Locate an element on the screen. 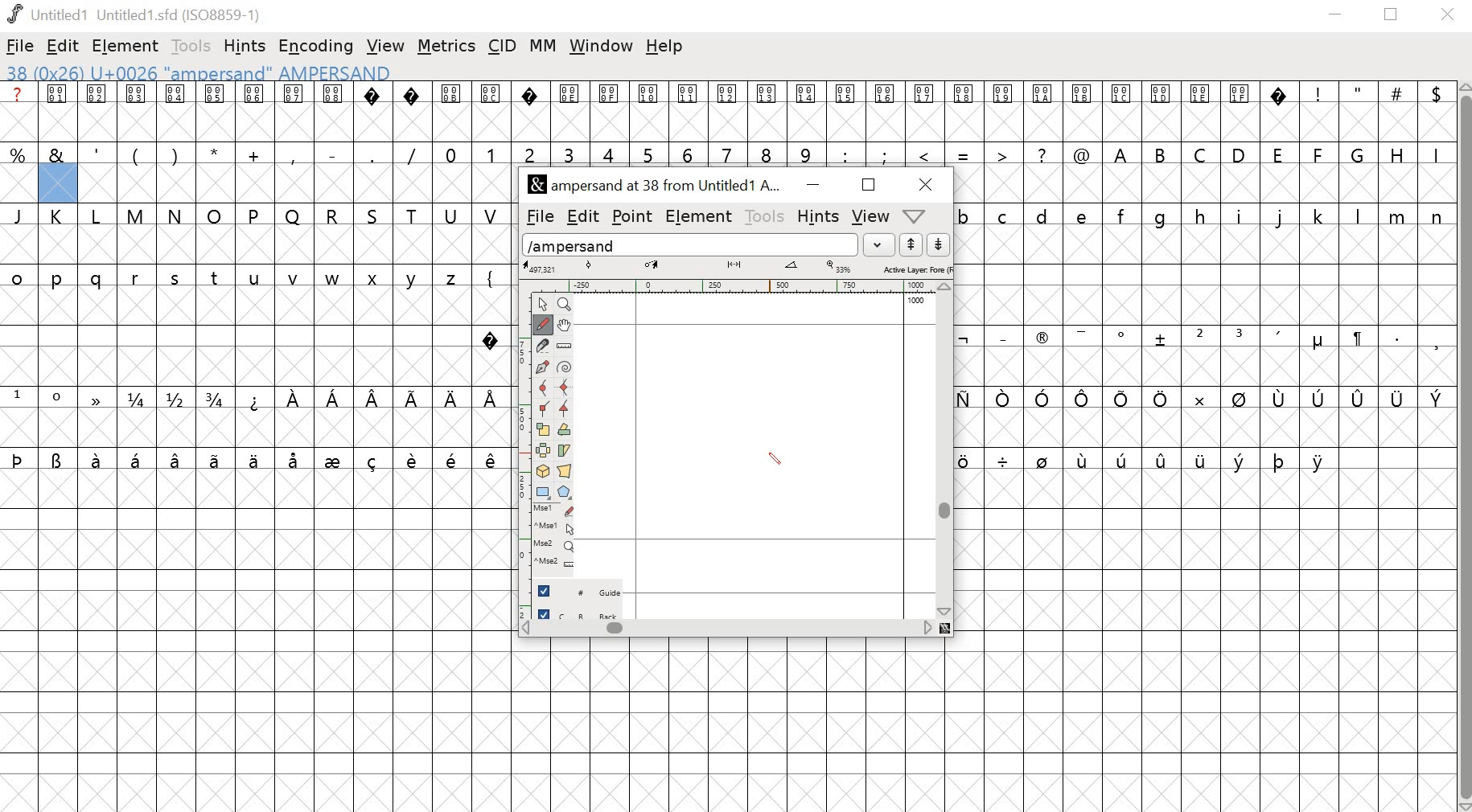 This screenshot has height=812, width=1472. edit is located at coordinates (582, 215).